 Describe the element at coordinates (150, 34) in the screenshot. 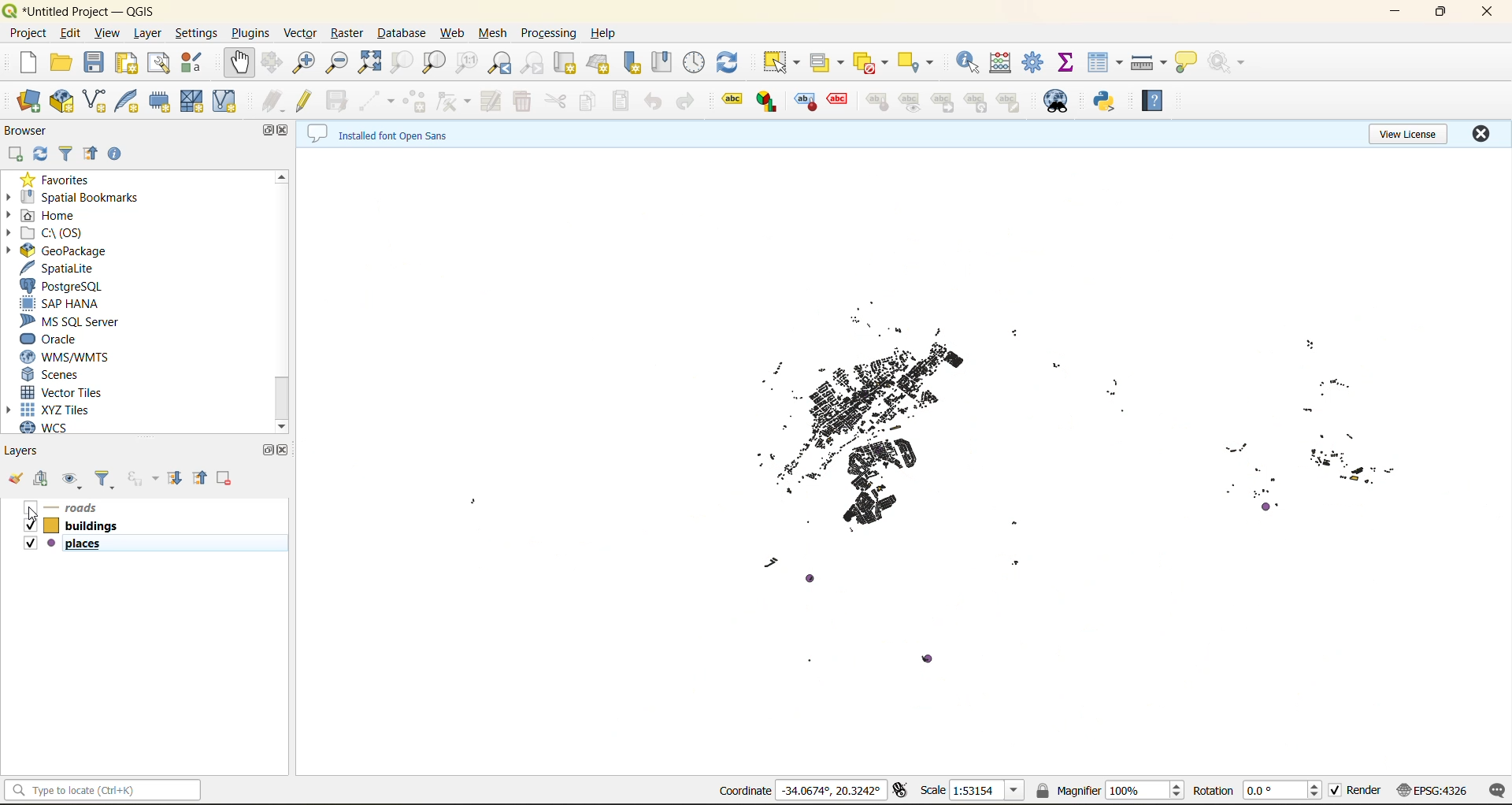

I see `layer` at that location.